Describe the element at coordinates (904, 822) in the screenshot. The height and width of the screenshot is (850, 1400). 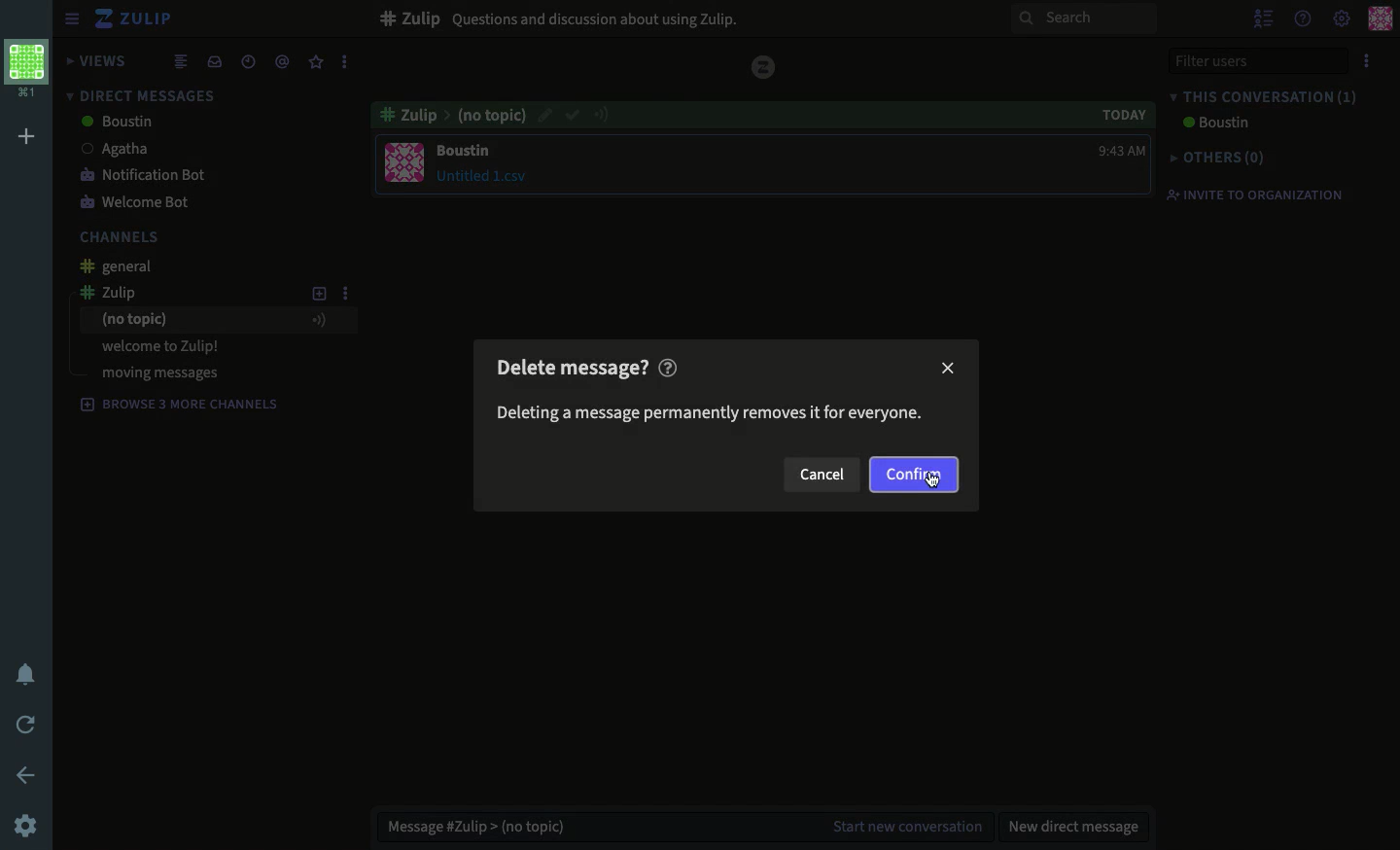
I see `start new conversation` at that location.